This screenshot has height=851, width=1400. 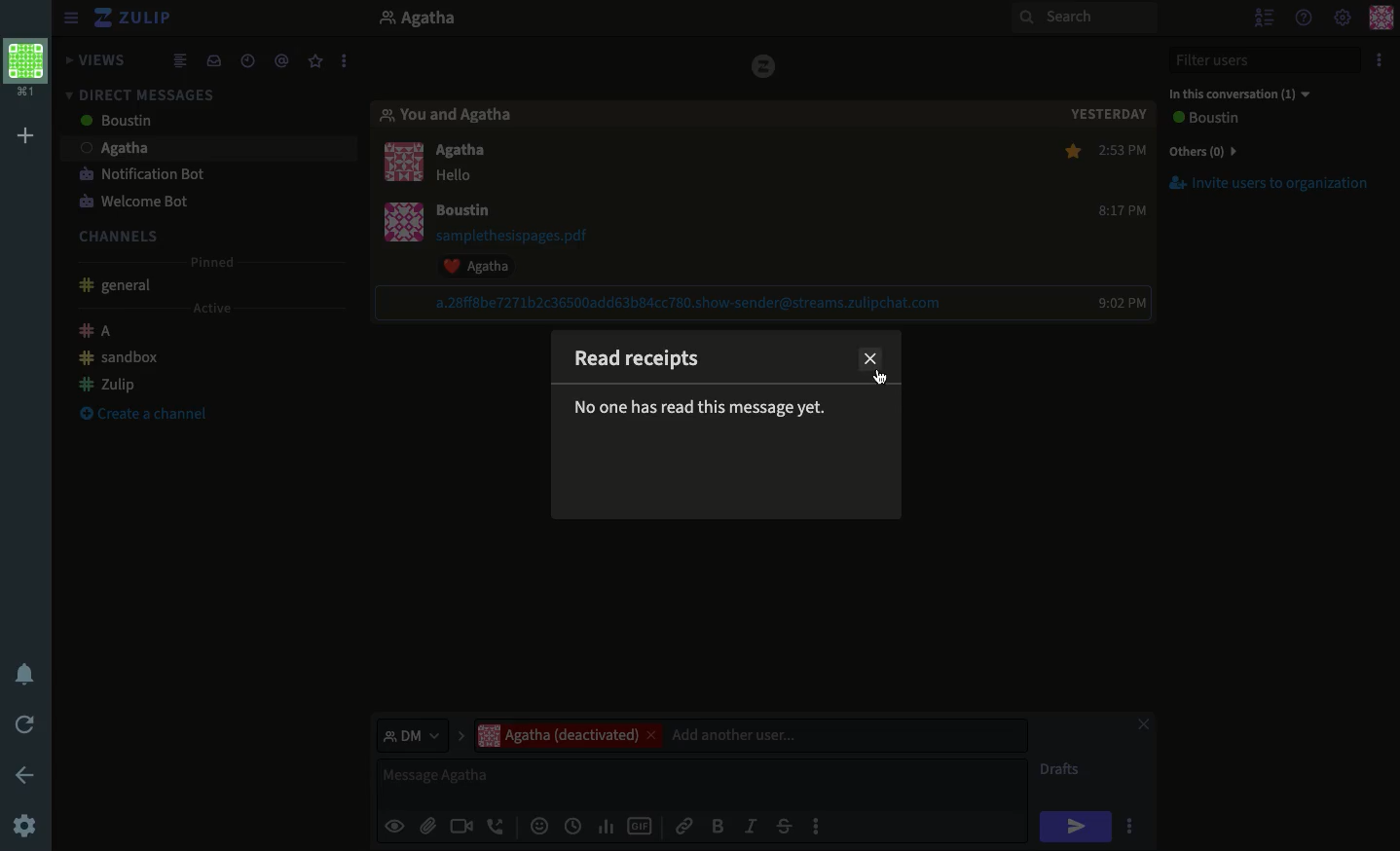 I want to click on Status, so click(x=703, y=410).